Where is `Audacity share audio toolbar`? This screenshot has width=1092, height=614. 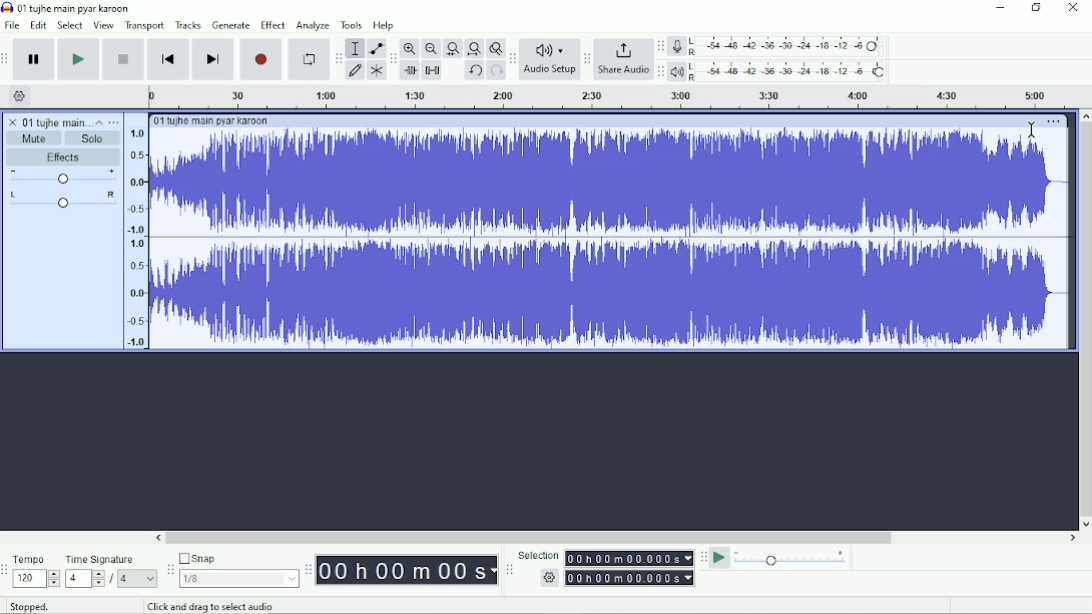
Audacity share audio toolbar is located at coordinates (588, 58).